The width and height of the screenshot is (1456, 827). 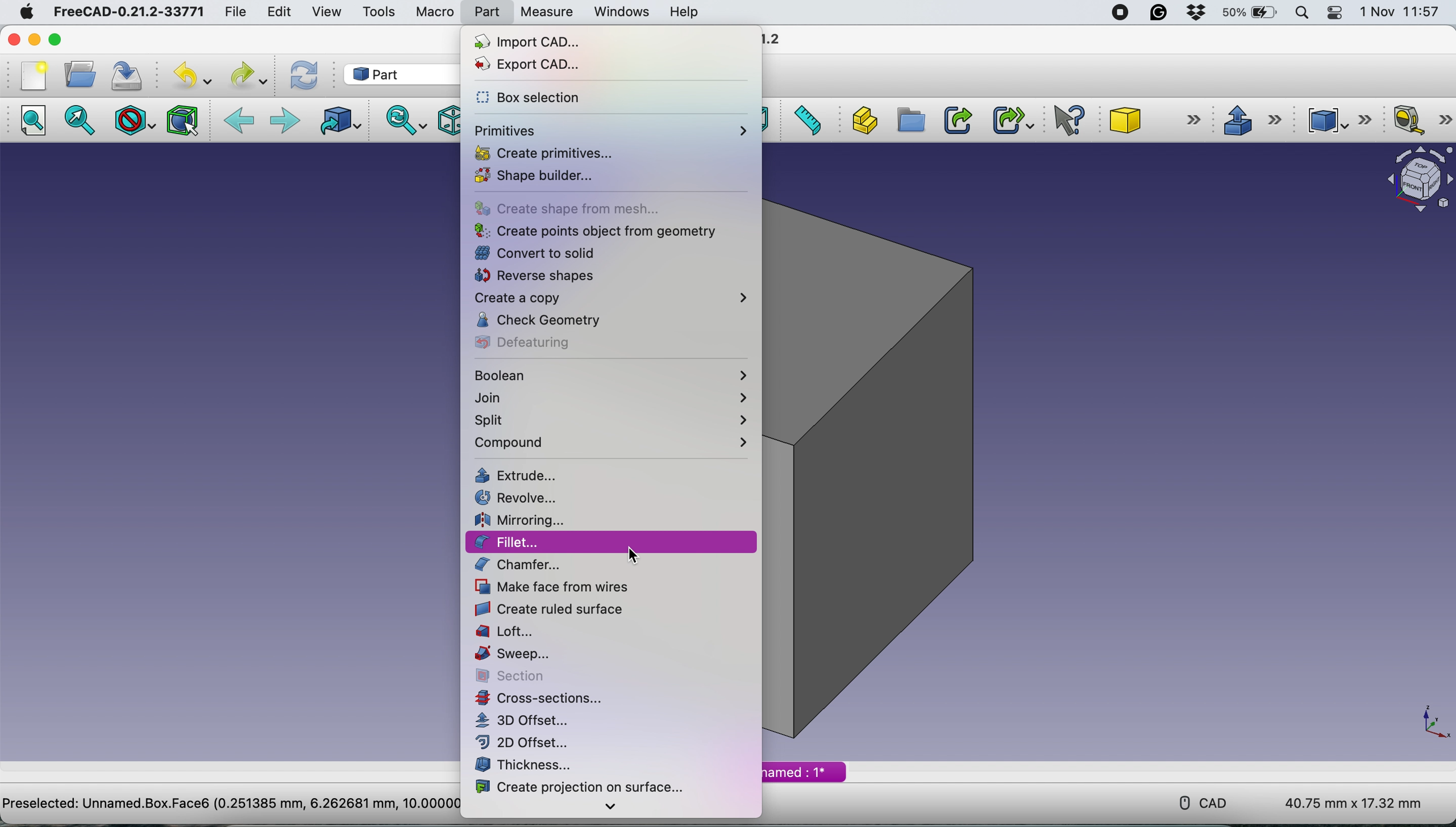 What do you see at coordinates (546, 43) in the screenshot?
I see `import cad` at bounding box center [546, 43].